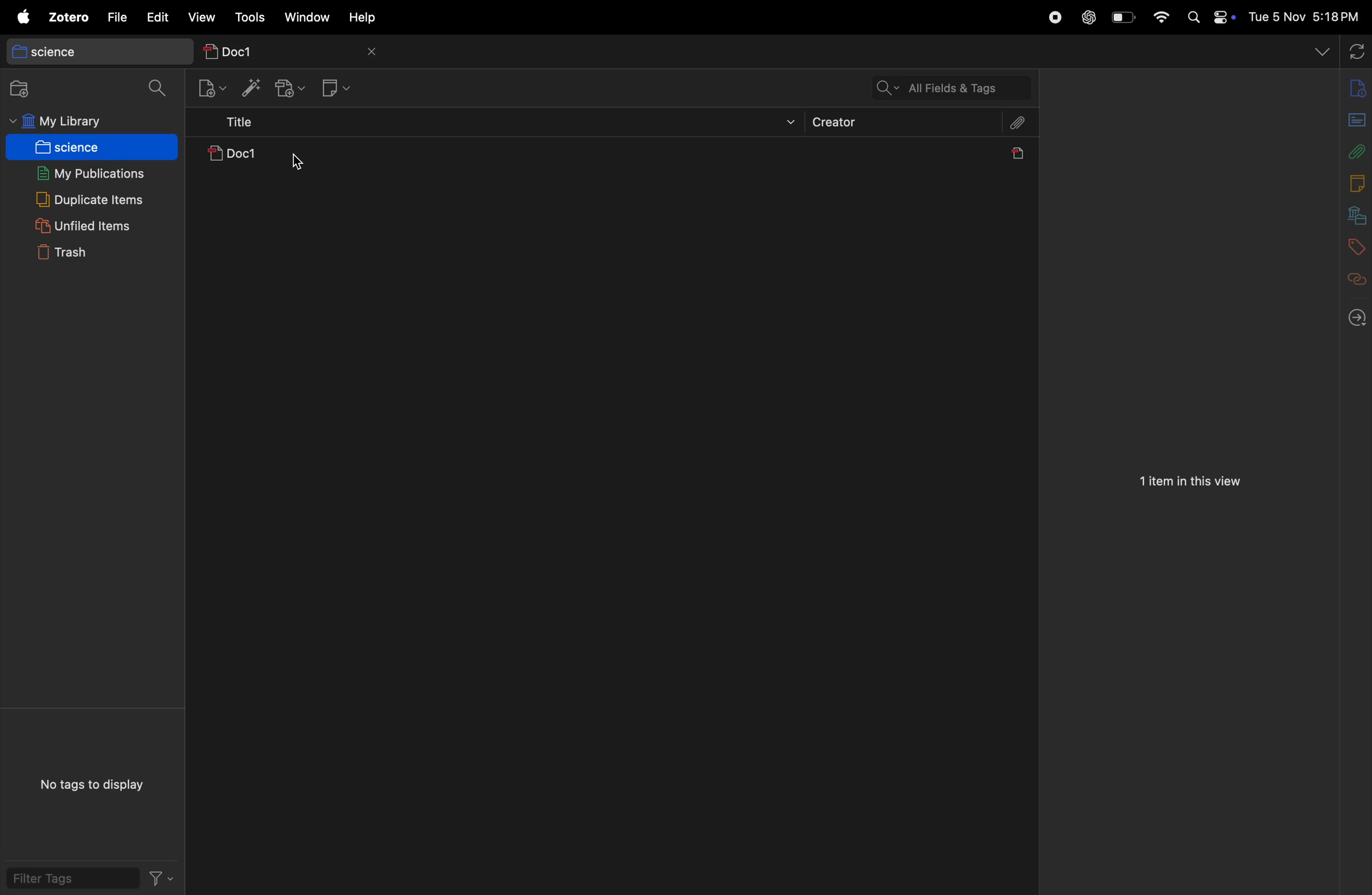  What do you see at coordinates (1015, 156) in the screenshot?
I see `doc` at bounding box center [1015, 156].